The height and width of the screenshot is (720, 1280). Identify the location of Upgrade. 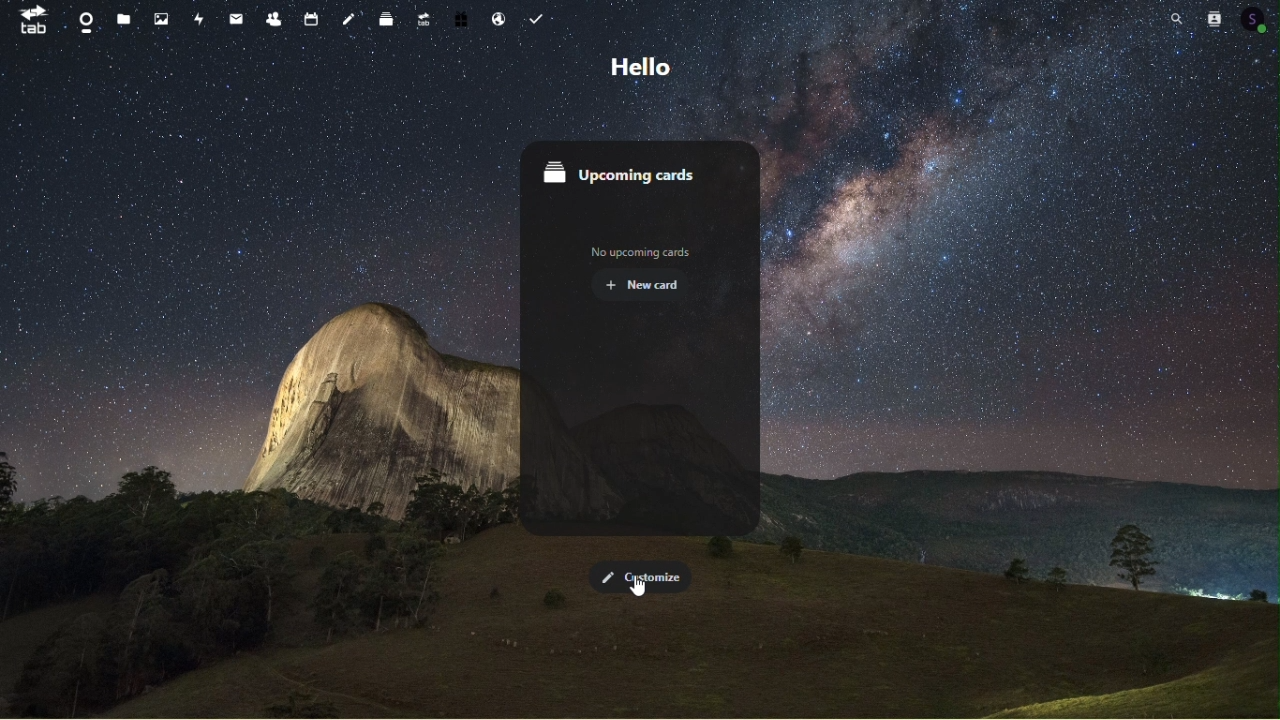
(422, 21).